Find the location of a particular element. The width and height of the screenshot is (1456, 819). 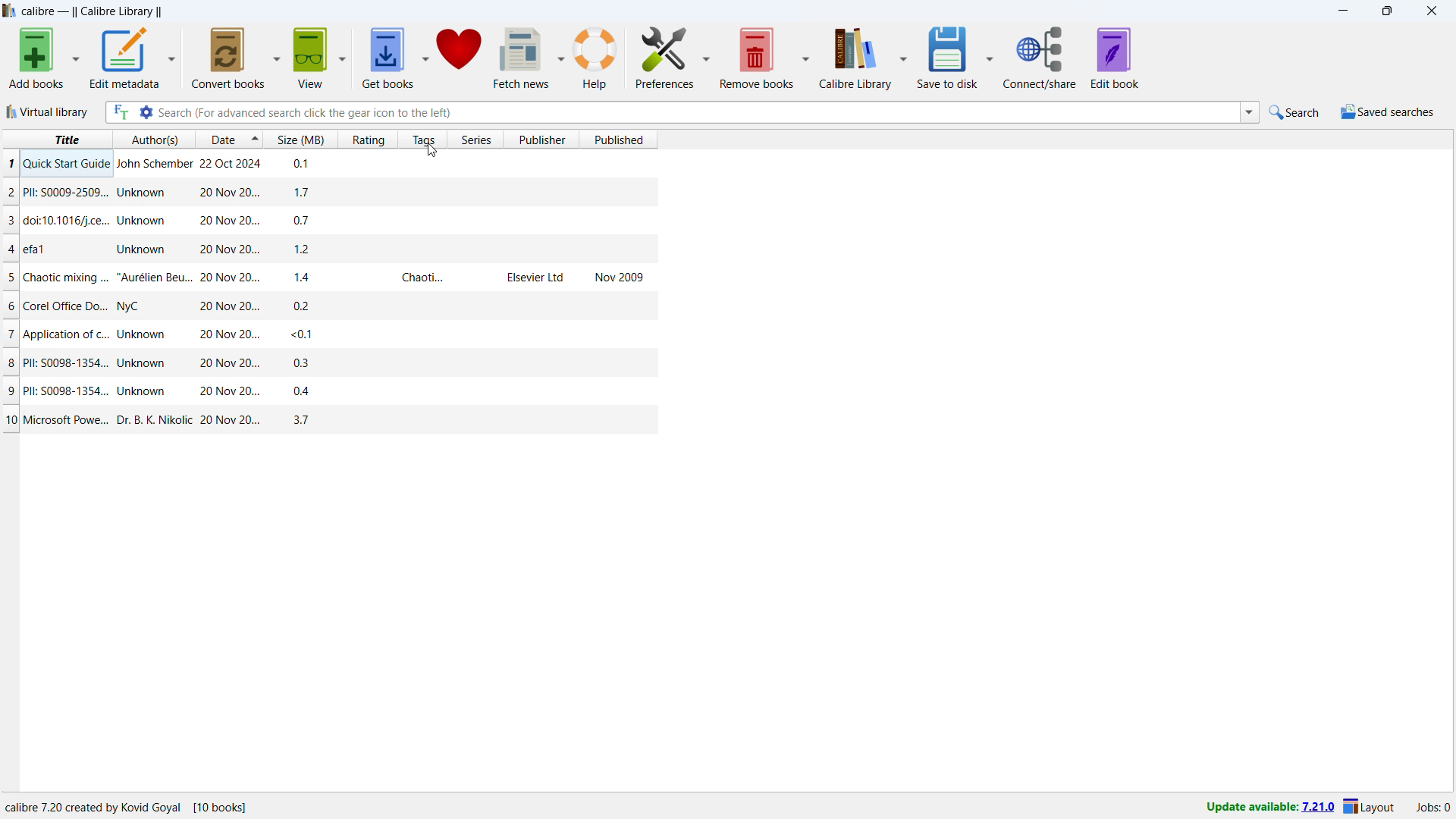

help is located at coordinates (596, 56).